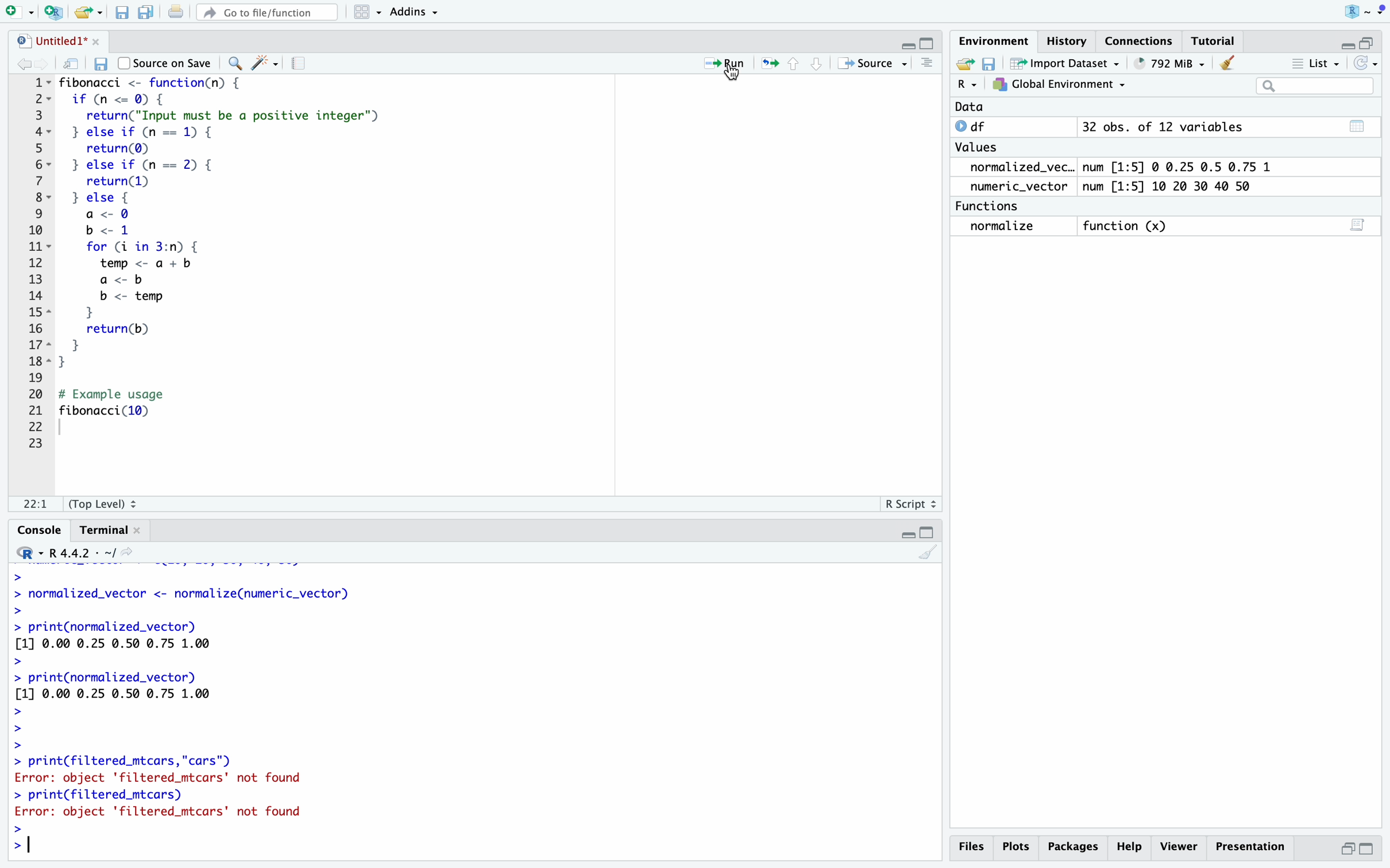  What do you see at coordinates (1374, 41) in the screenshot?
I see `maximize` at bounding box center [1374, 41].